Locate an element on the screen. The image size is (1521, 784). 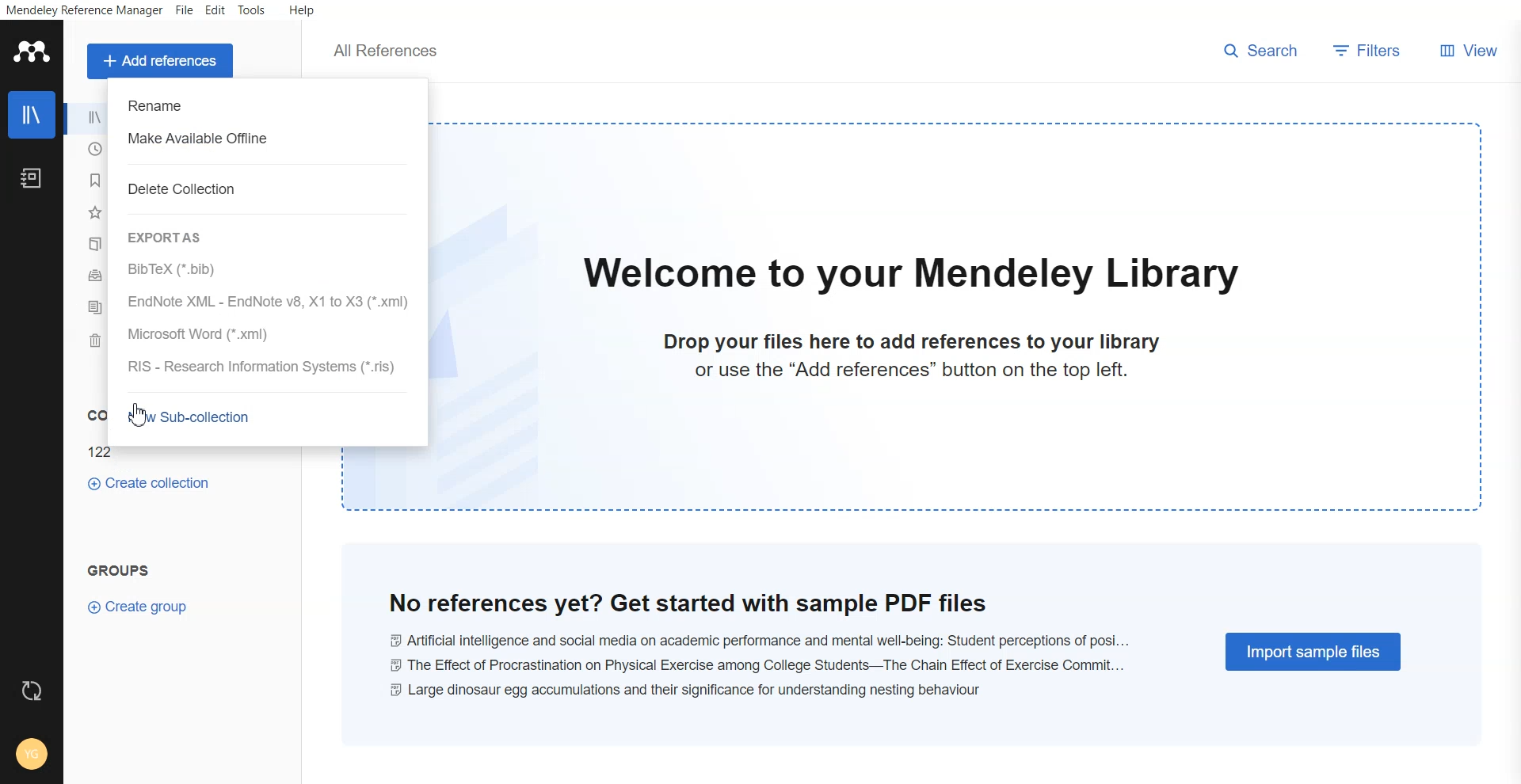
Cursor is located at coordinates (139, 416).